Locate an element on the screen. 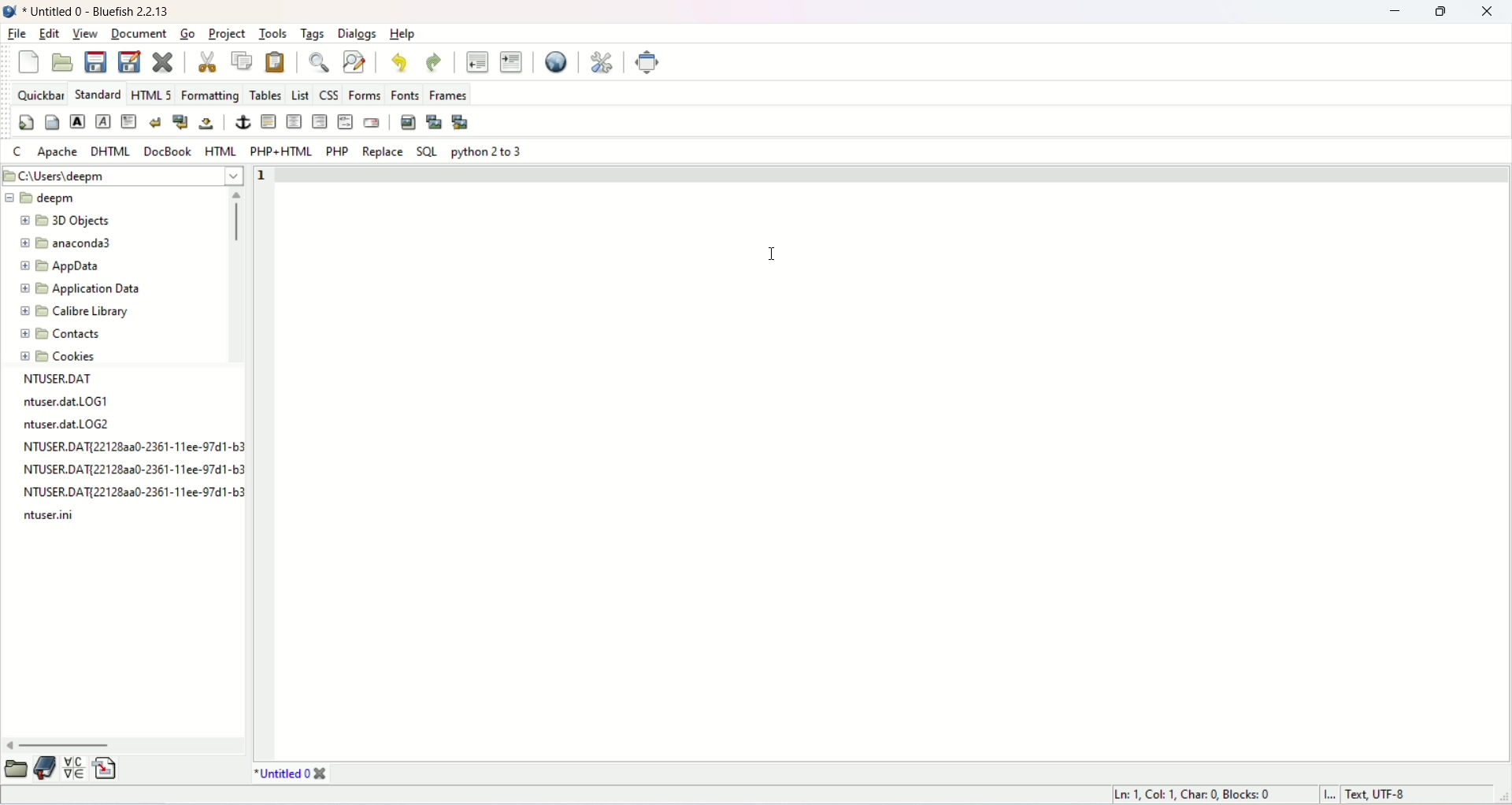  emphasize is located at coordinates (102, 122).